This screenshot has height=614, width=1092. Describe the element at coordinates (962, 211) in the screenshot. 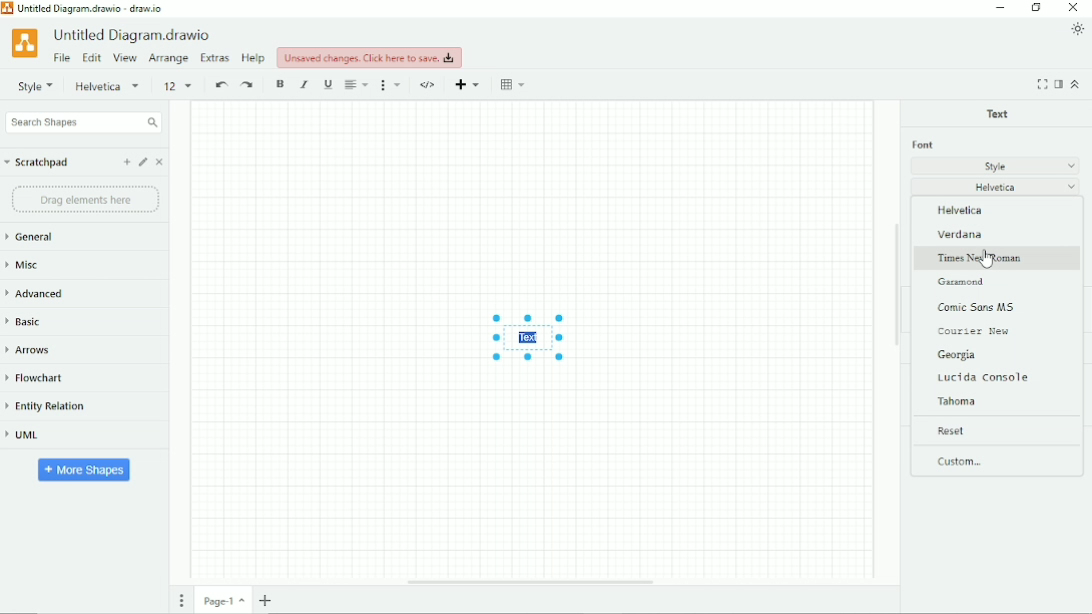

I see `Helvetica` at that location.